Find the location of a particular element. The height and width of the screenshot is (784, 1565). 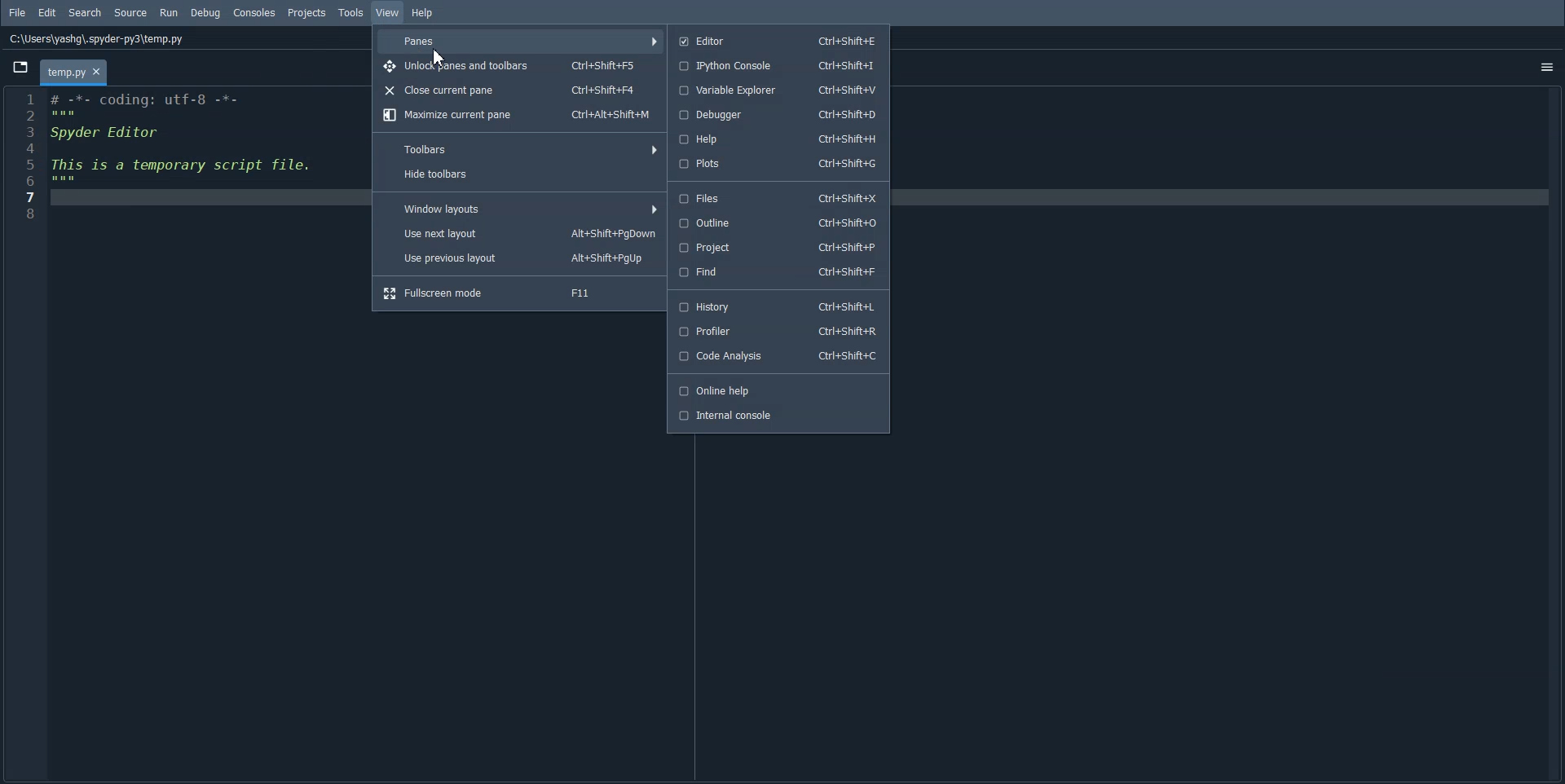

History is located at coordinates (780, 306).